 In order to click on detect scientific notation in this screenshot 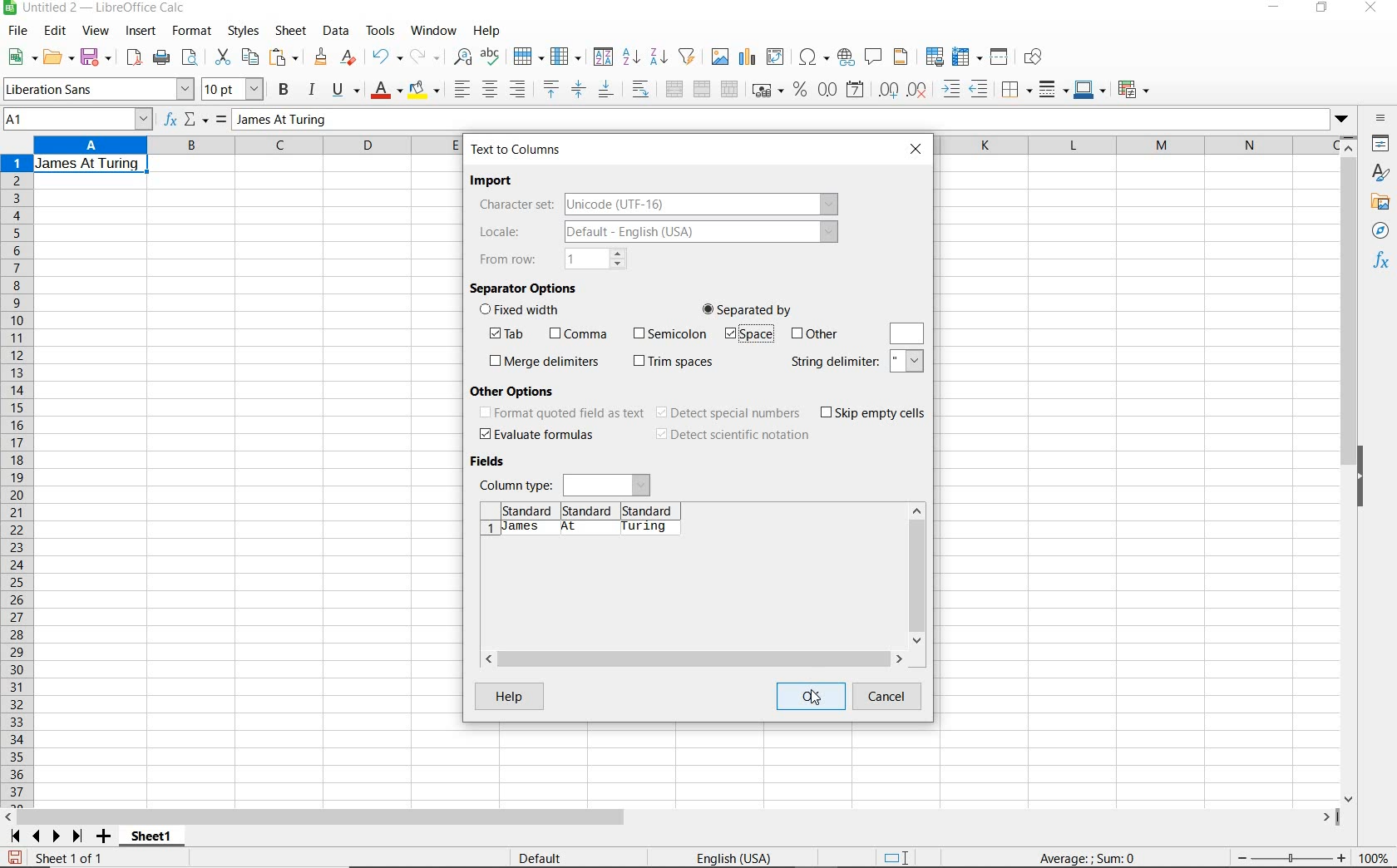, I will do `click(732, 436)`.